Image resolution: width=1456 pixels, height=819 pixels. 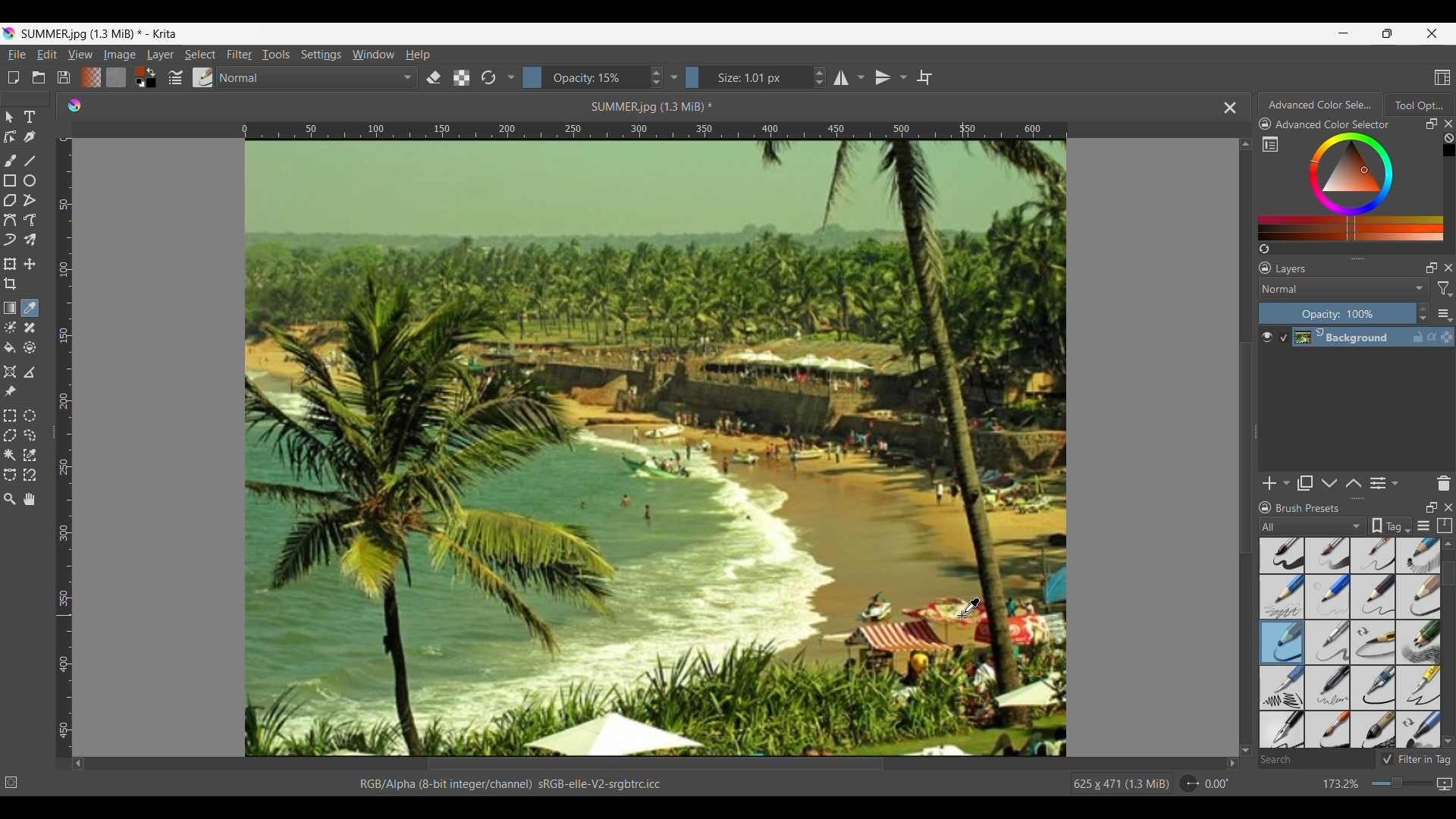 I want to click on Search, so click(x=1316, y=761).